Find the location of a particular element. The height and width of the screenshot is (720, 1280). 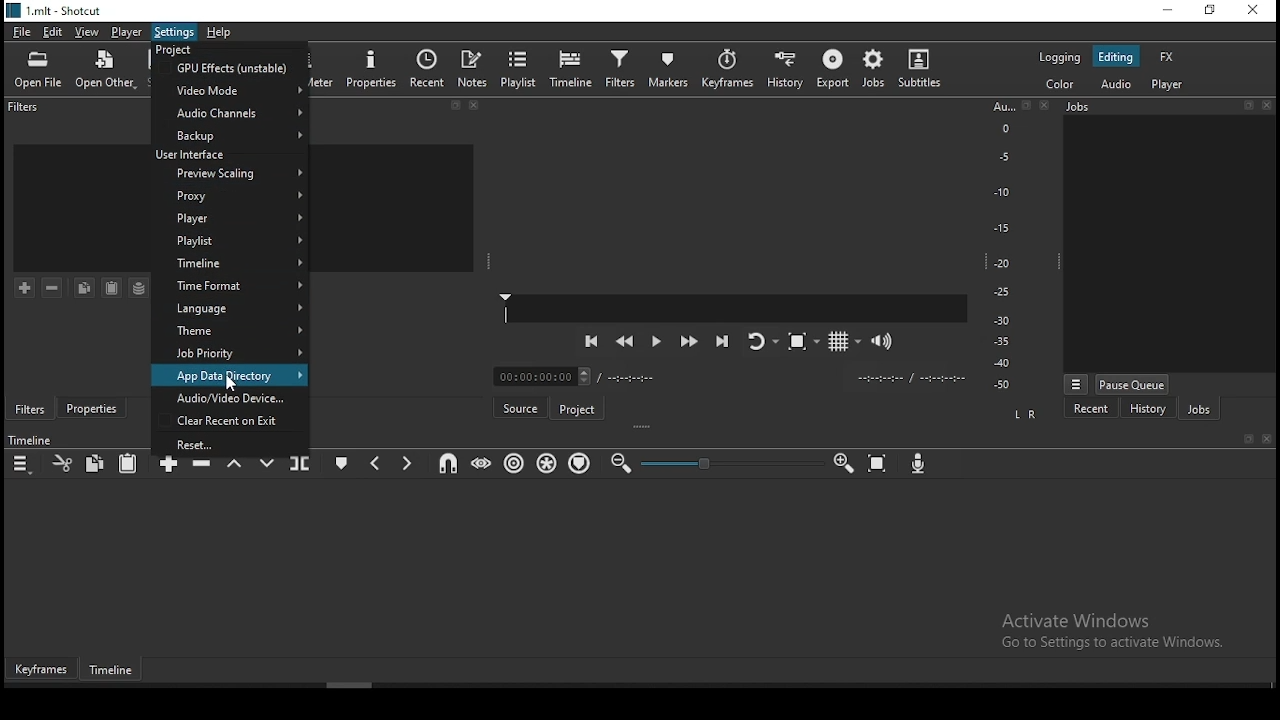

save a filter set is located at coordinates (139, 288).